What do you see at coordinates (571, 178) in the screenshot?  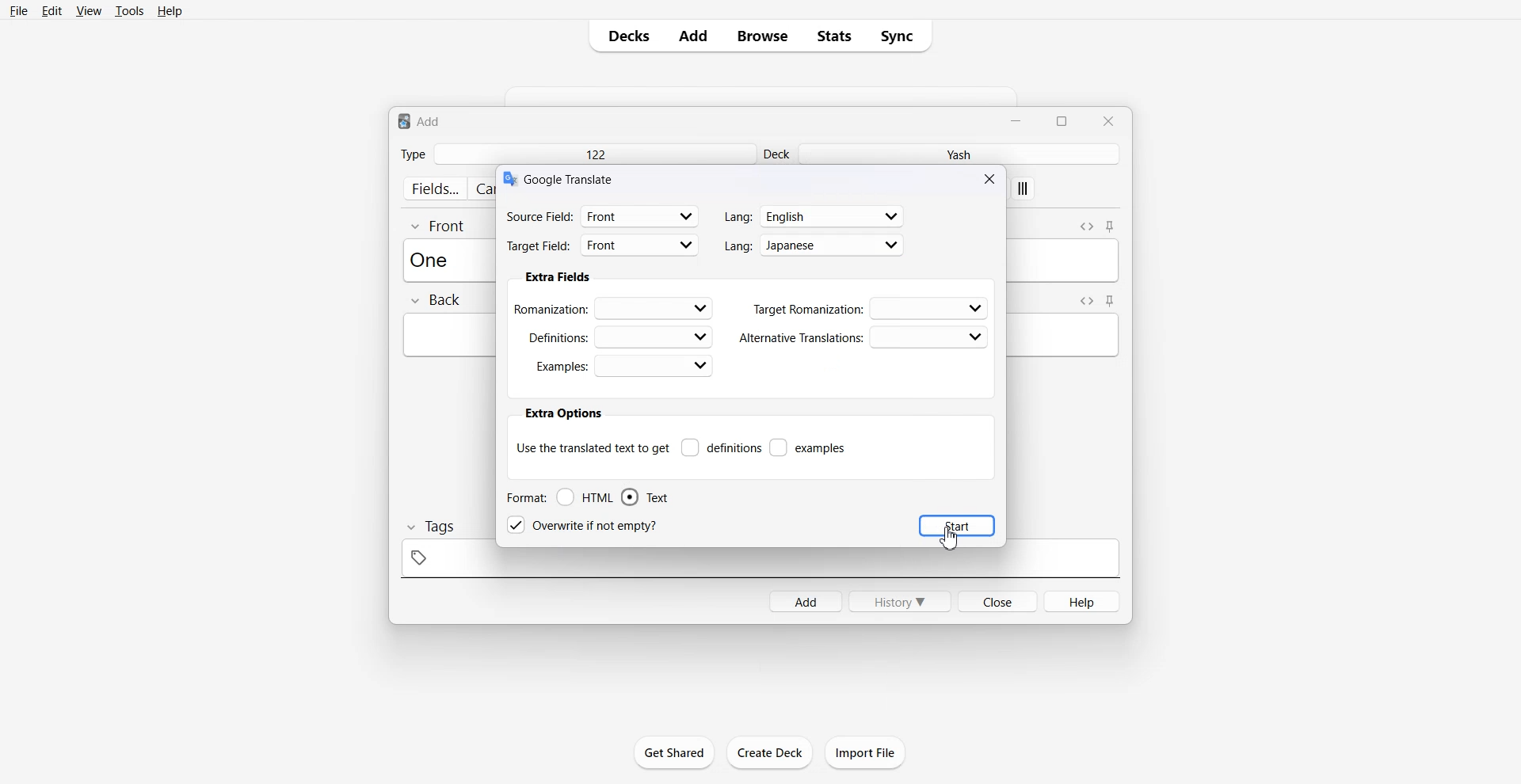 I see `Text` at bounding box center [571, 178].